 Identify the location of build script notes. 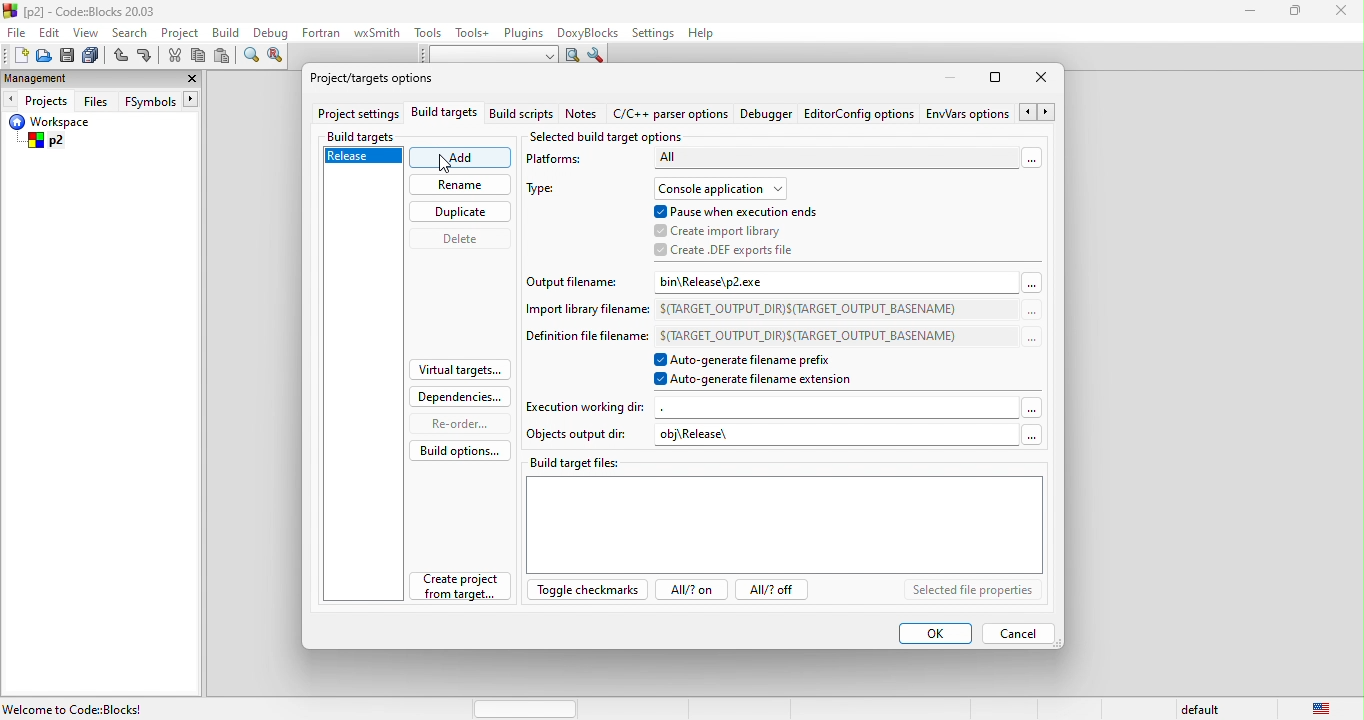
(521, 115).